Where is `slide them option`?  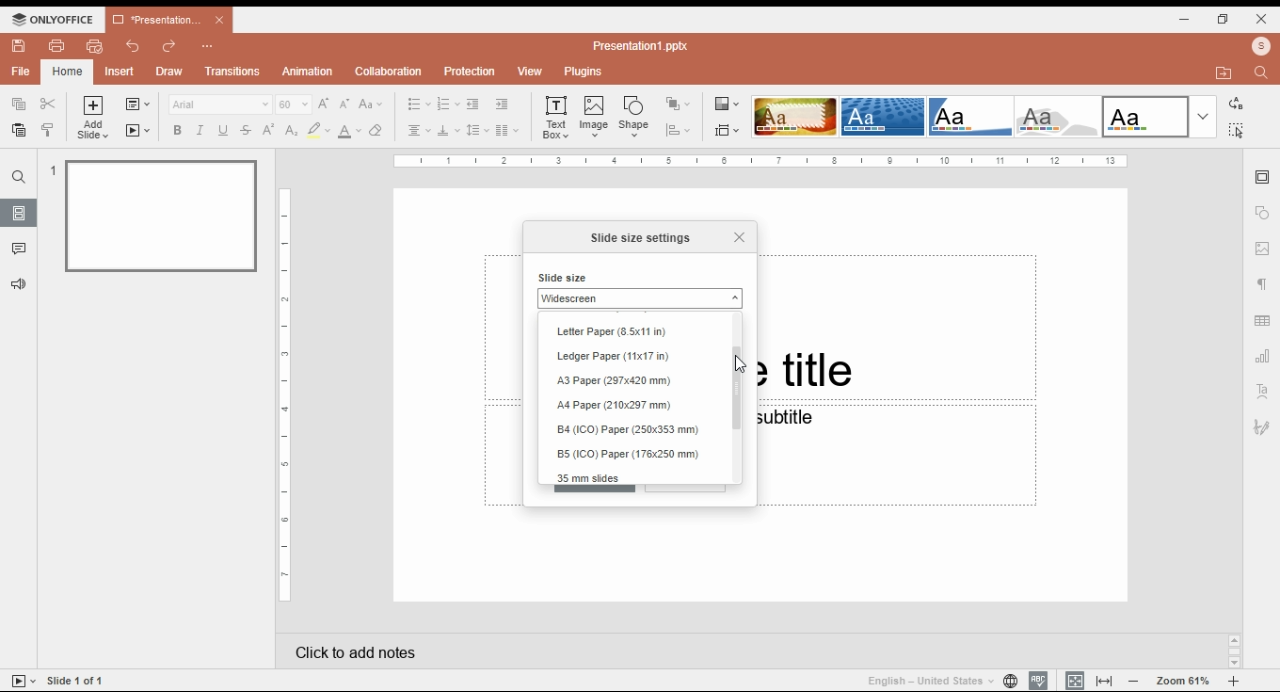 slide them option is located at coordinates (1146, 116).